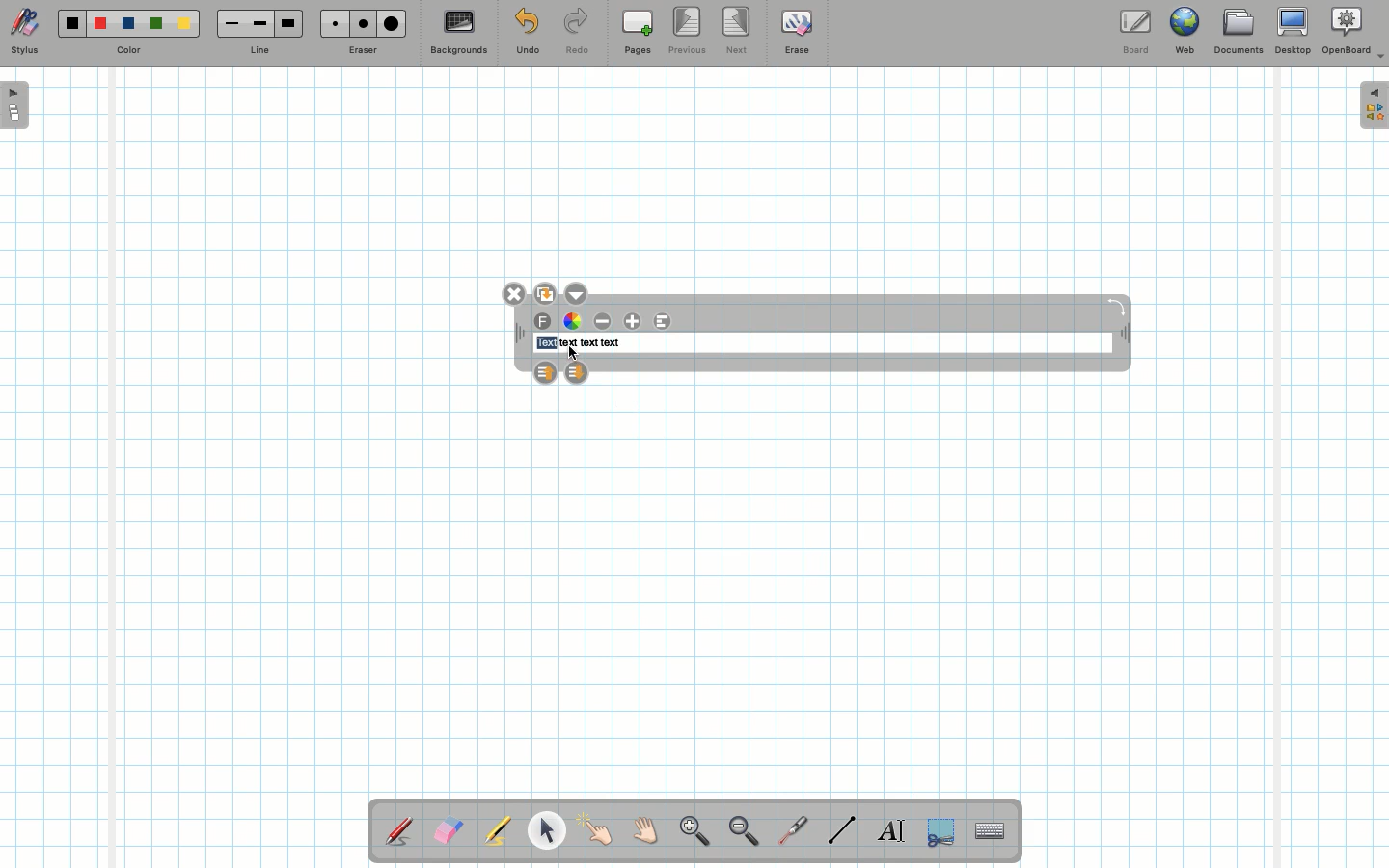 Image resolution: width=1389 pixels, height=868 pixels. Describe the element at coordinates (1295, 31) in the screenshot. I see `Desktop` at that location.